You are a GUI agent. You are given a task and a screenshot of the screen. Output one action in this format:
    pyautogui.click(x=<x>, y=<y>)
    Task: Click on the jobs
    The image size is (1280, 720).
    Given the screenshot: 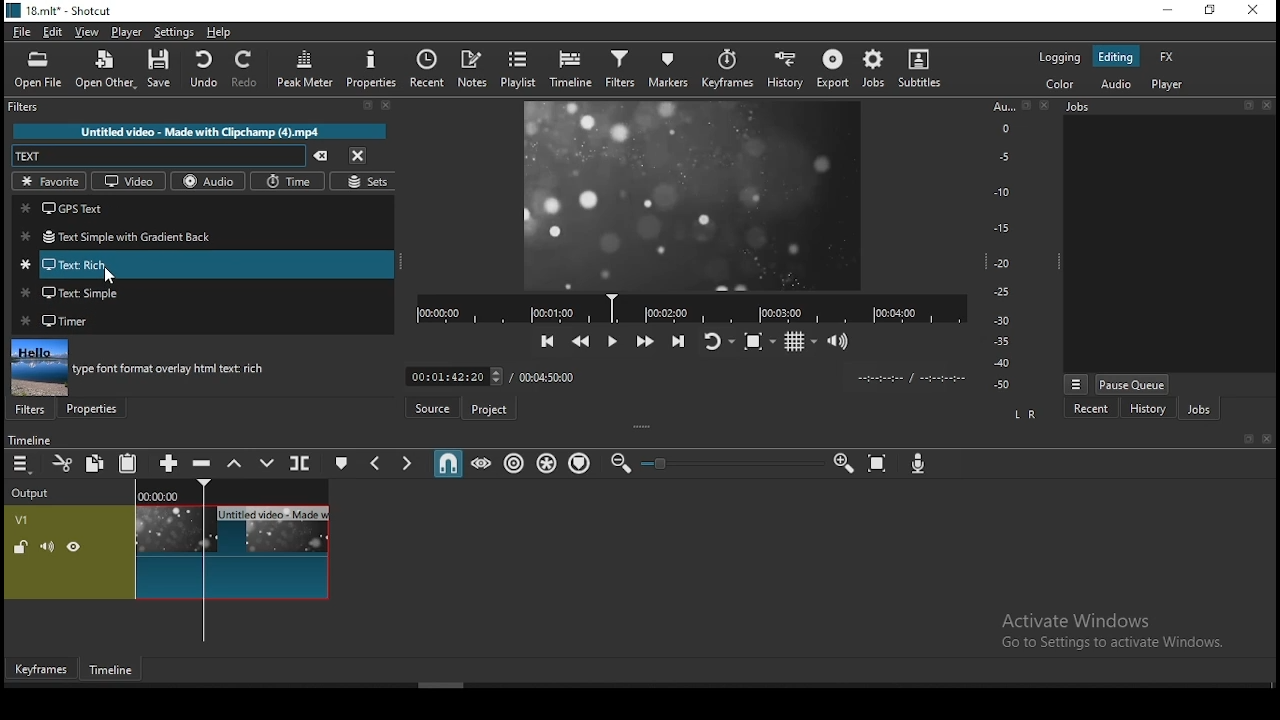 What is the action you would take?
    pyautogui.click(x=1198, y=408)
    